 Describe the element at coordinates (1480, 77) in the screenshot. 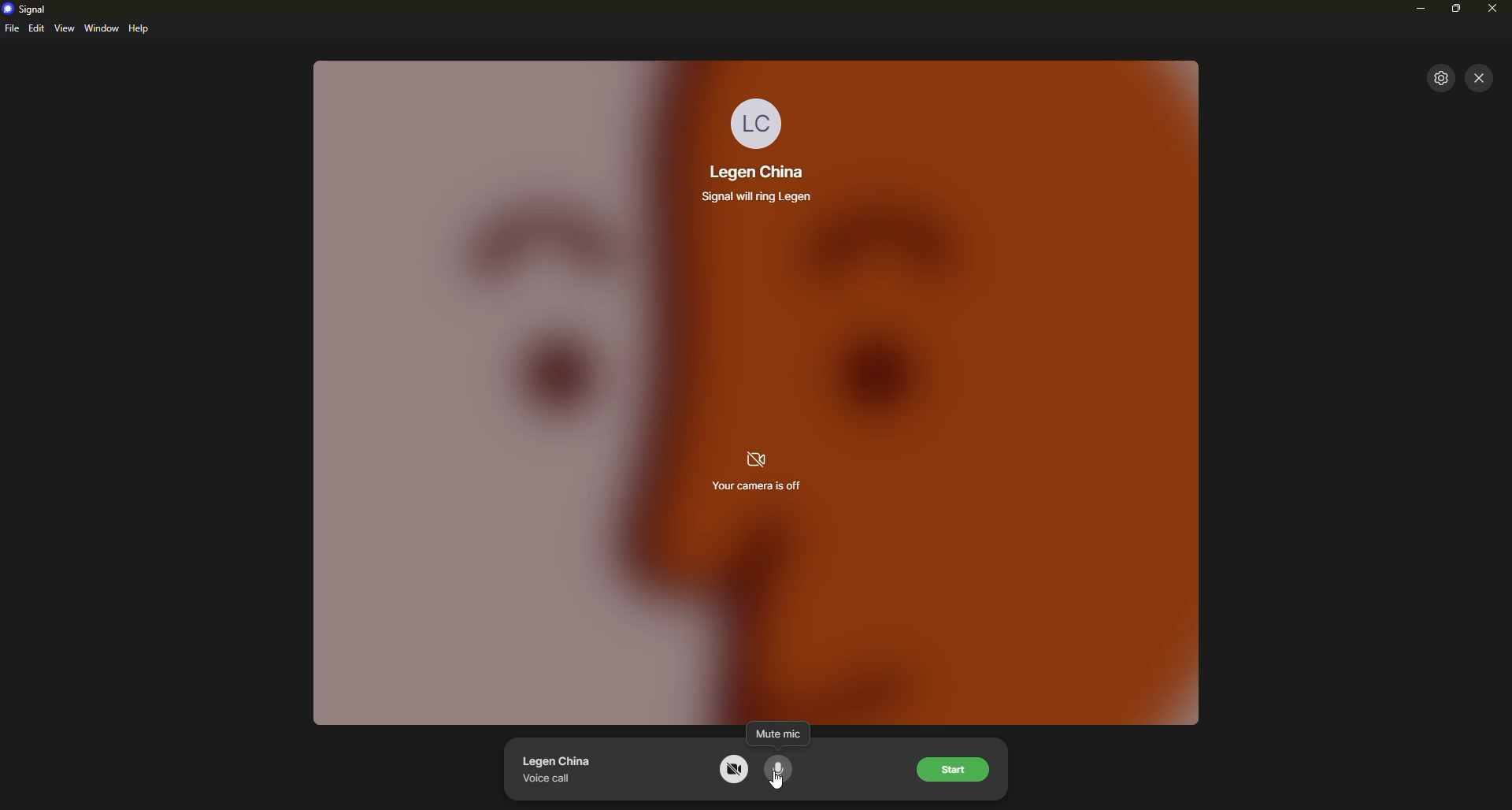

I see `close` at that location.